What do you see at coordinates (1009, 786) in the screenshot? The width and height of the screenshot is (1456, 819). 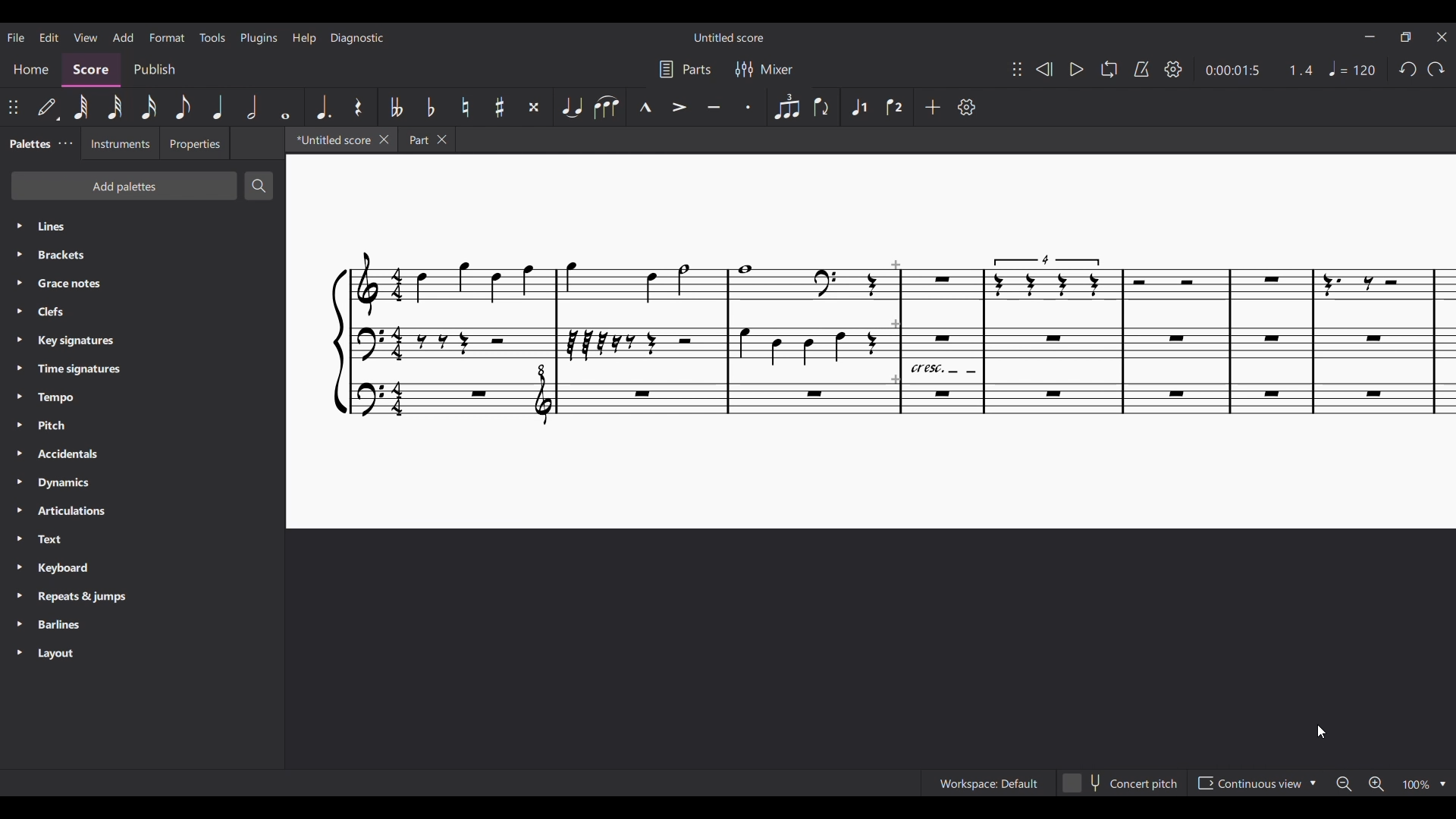 I see `Current workspace setting` at bounding box center [1009, 786].